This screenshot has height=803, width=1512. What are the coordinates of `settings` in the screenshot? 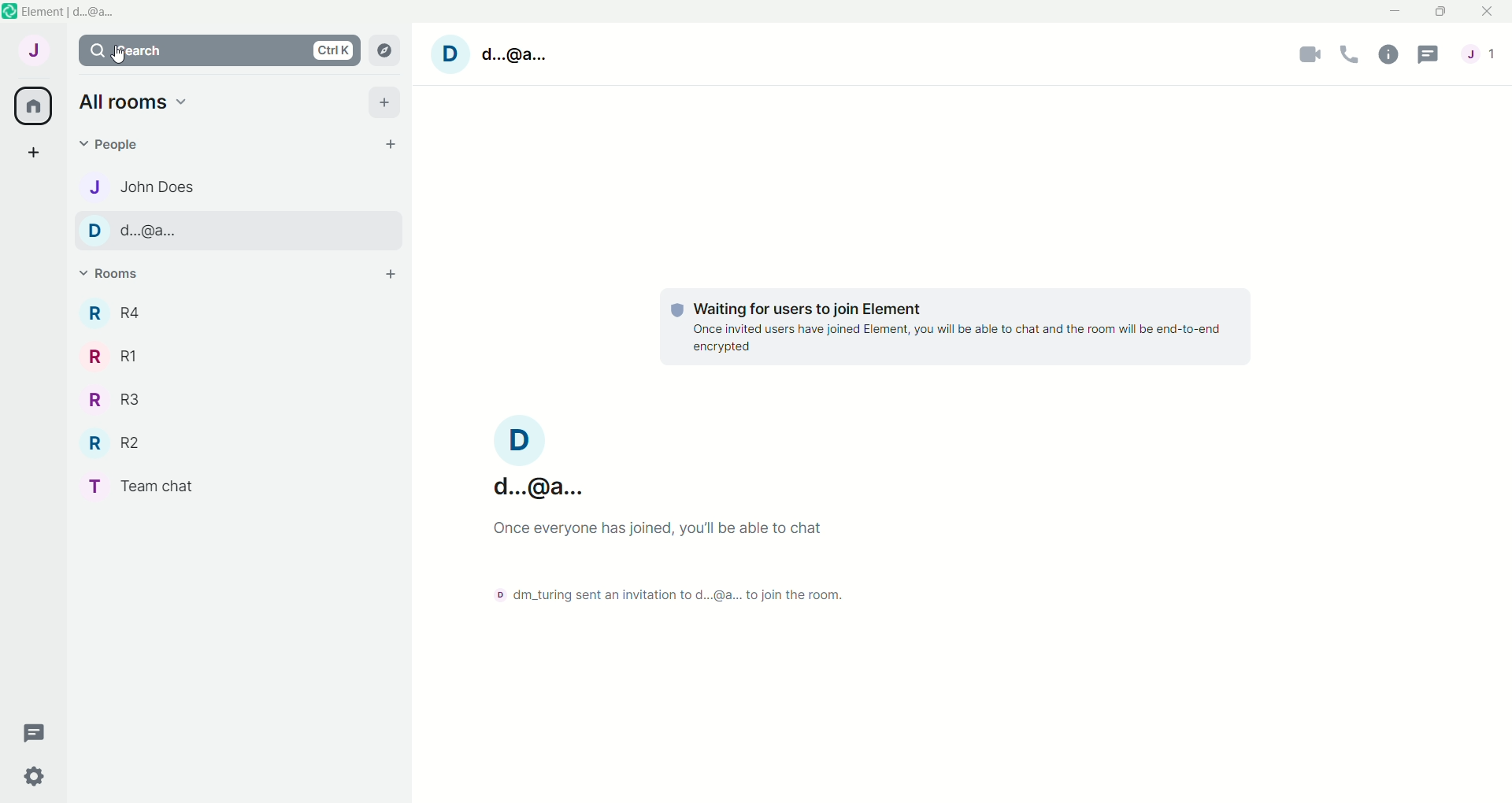 It's located at (28, 779).